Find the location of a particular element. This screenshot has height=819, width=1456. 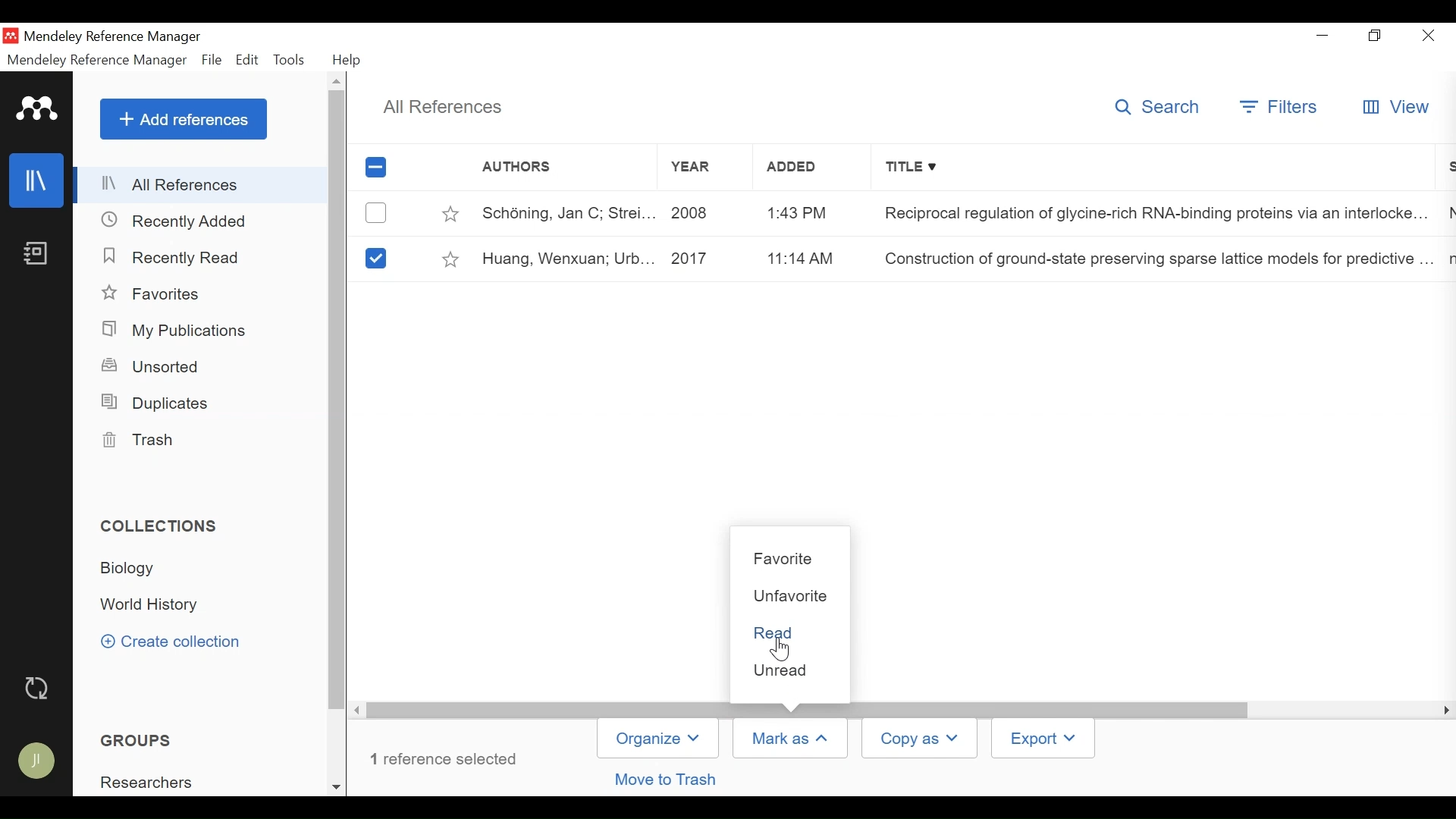

Authors is located at coordinates (549, 168).